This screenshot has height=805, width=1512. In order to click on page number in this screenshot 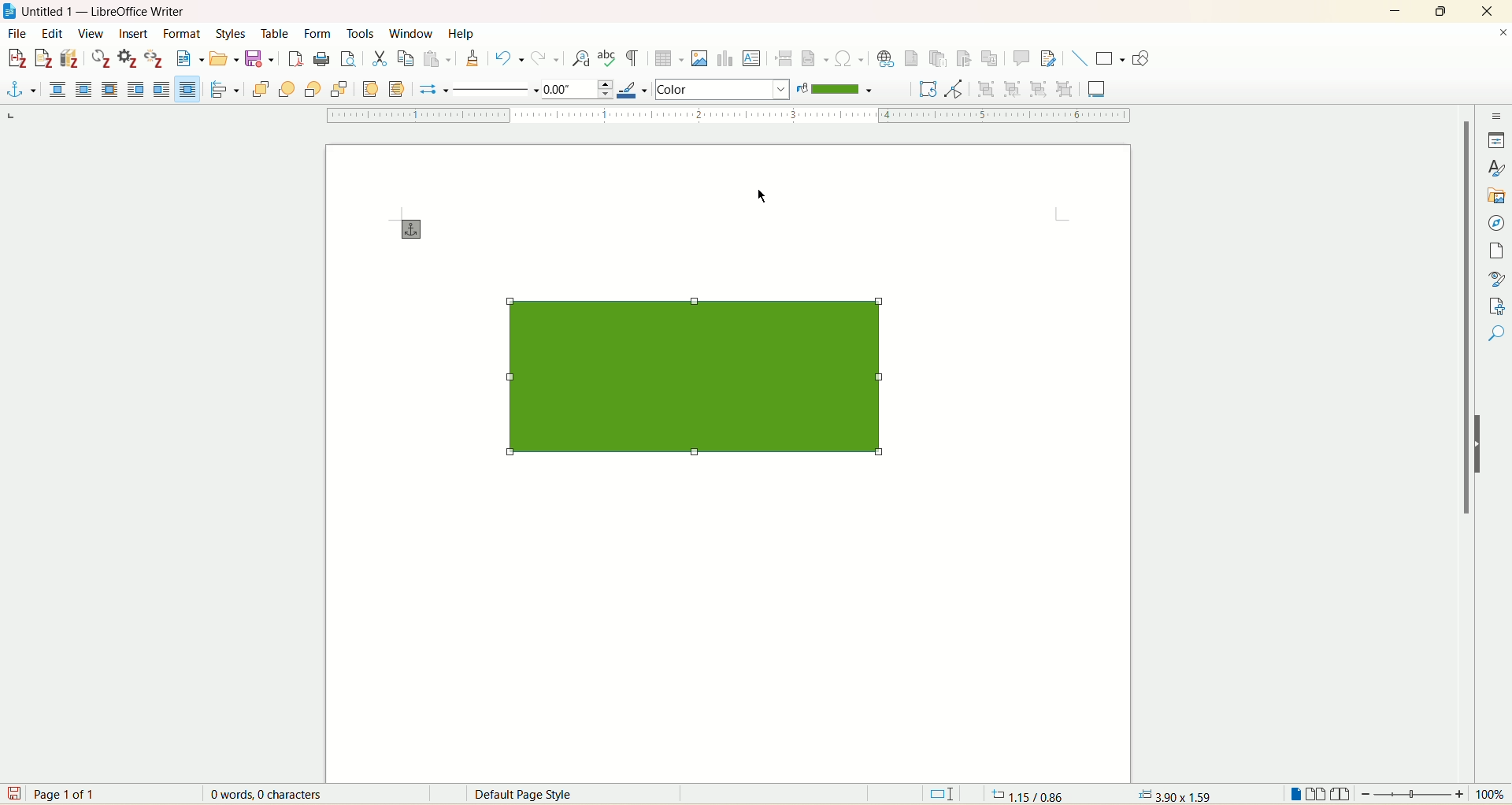, I will do `click(68, 795)`.